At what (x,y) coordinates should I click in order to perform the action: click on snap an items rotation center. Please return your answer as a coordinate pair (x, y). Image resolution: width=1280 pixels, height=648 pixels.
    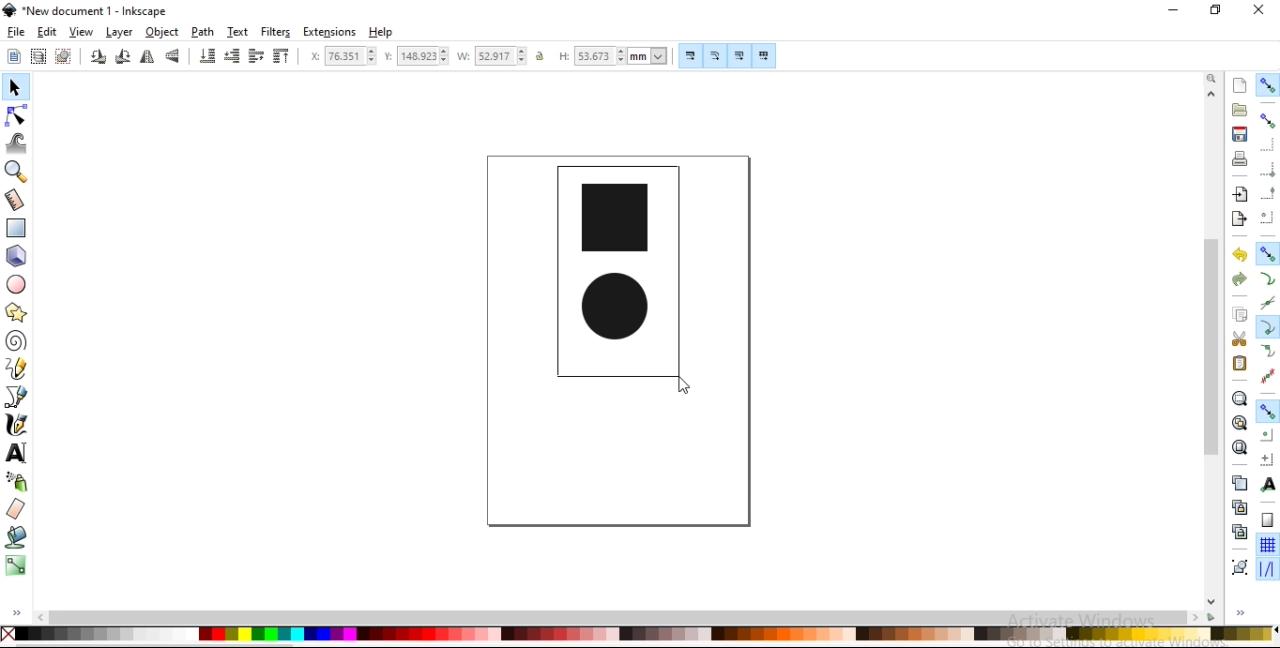
    Looking at the image, I should click on (1266, 458).